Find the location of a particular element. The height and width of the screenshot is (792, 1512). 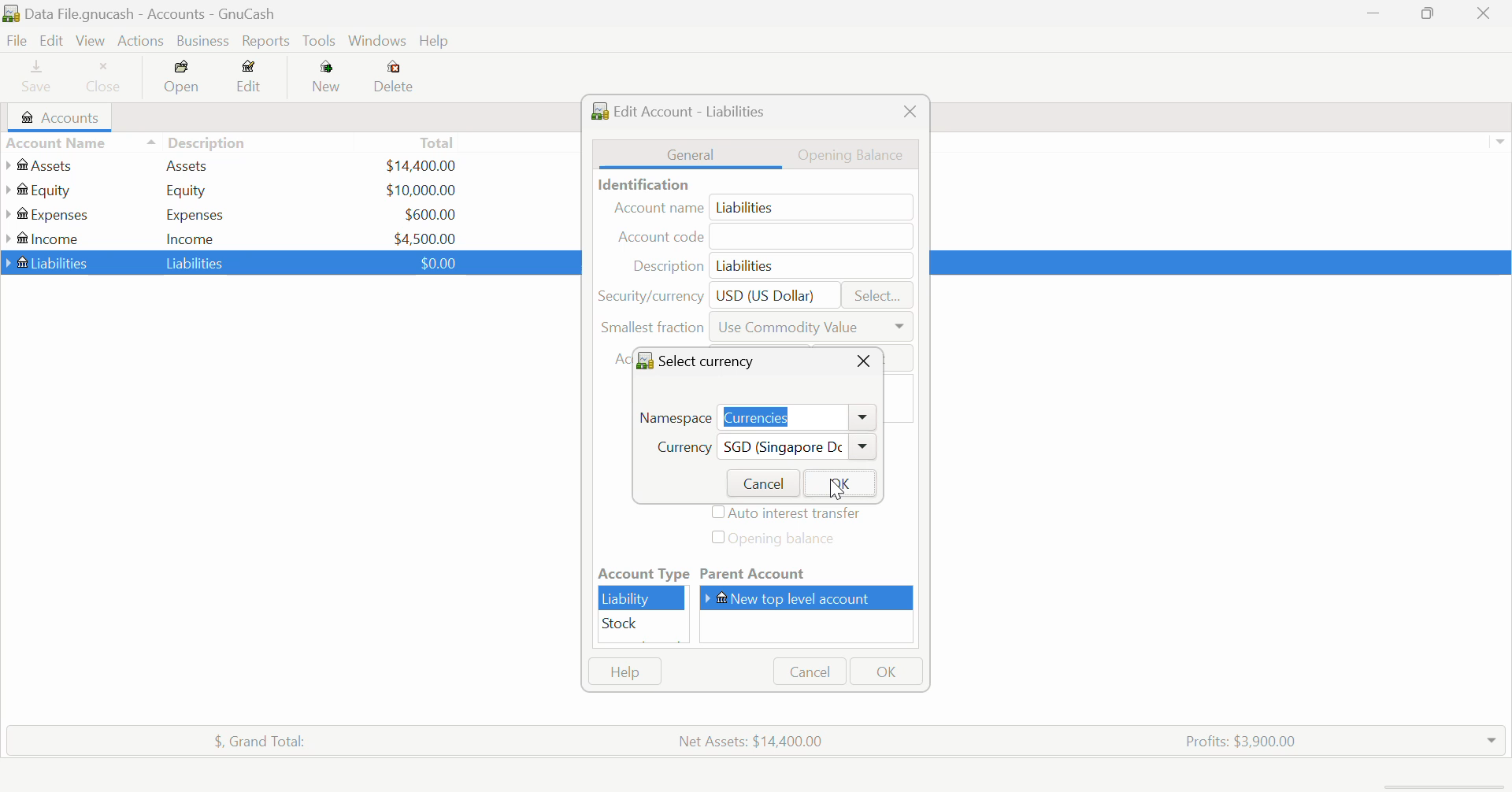

Delete is located at coordinates (394, 77).